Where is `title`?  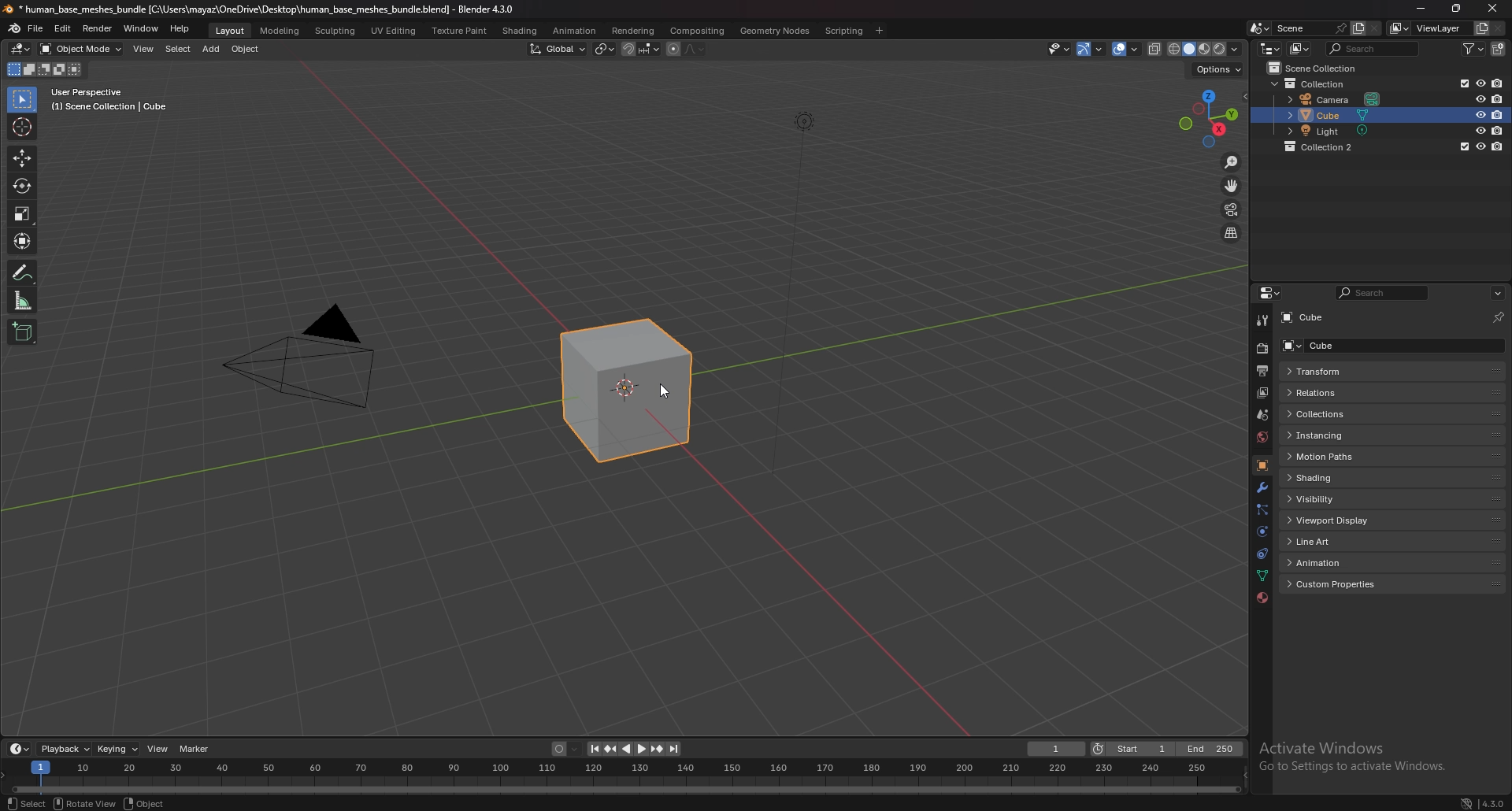
title is located at coordinates (261, 9).